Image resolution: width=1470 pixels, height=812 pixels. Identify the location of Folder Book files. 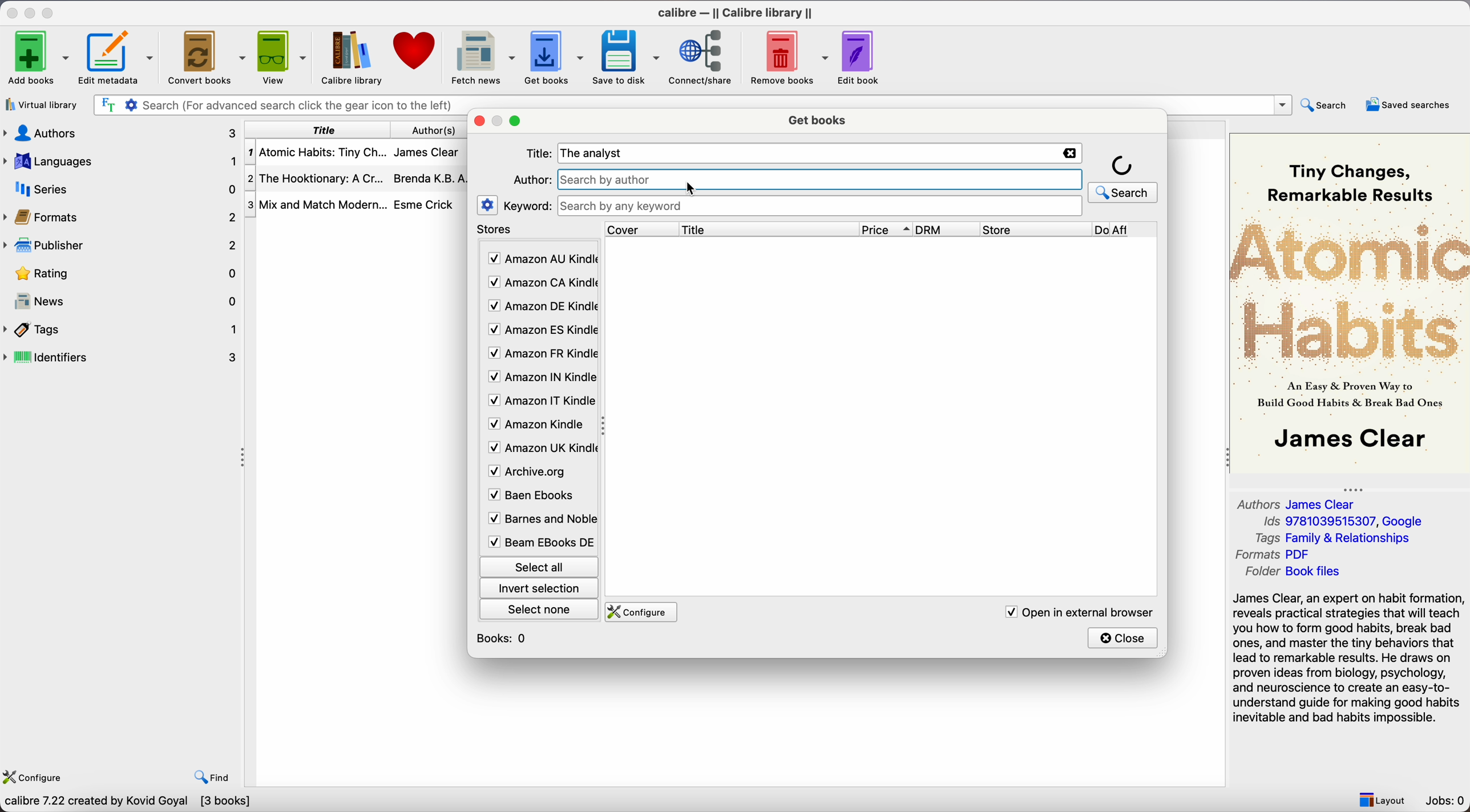
(1289, 573).